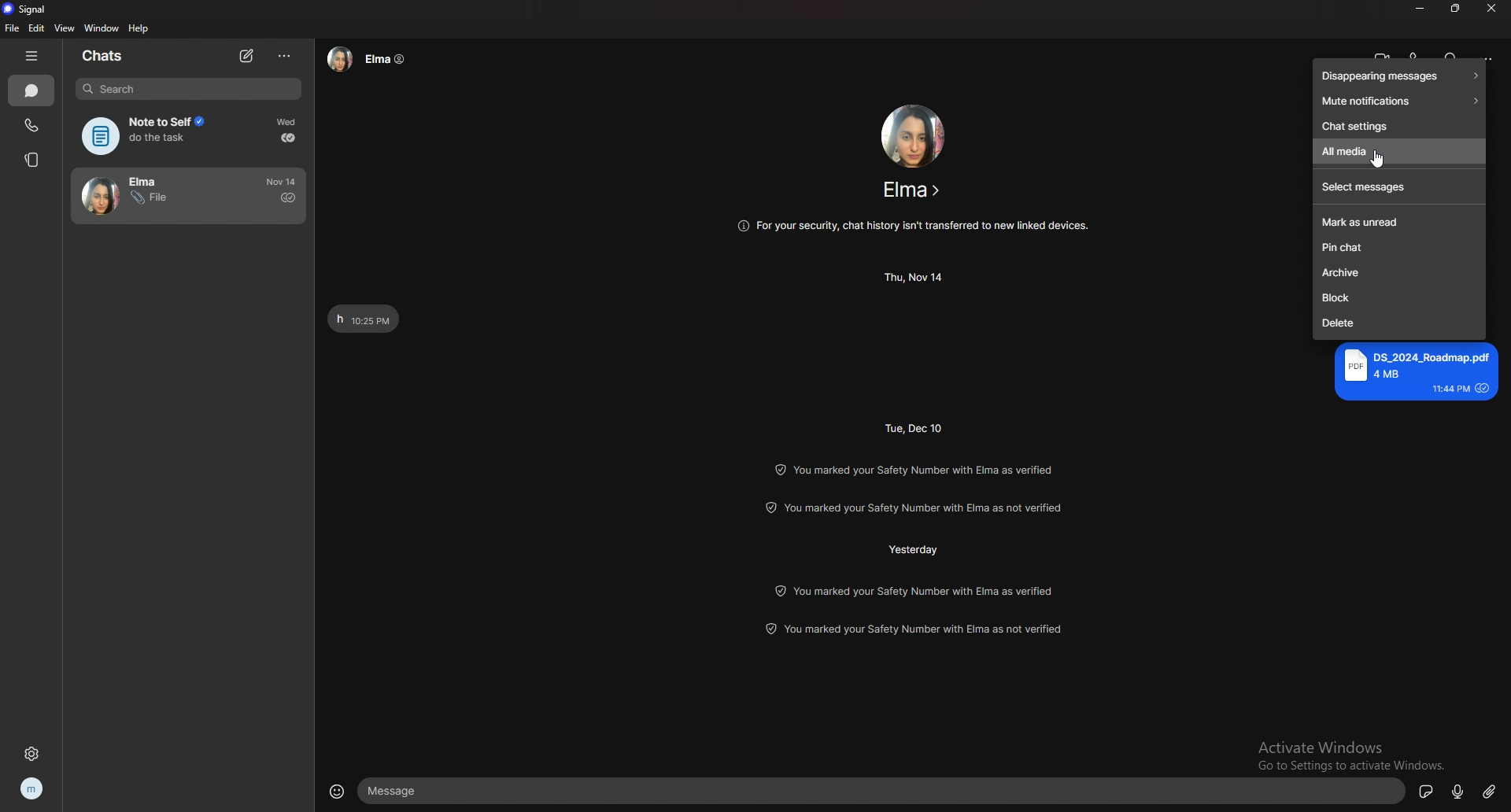  I want to click on chat settings, so click(1398, 126).